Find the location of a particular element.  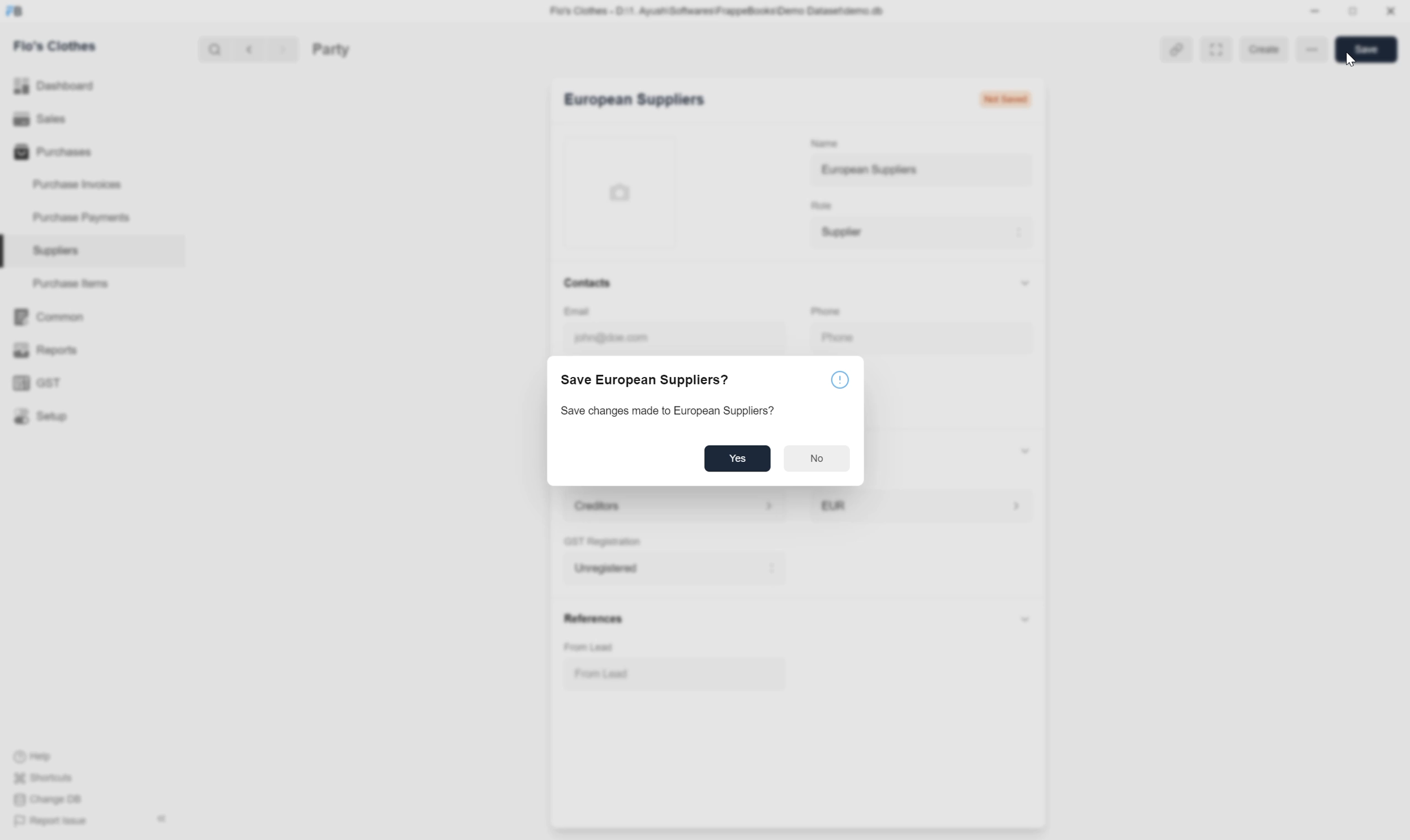

contacts is located at coordinates (587, 281).